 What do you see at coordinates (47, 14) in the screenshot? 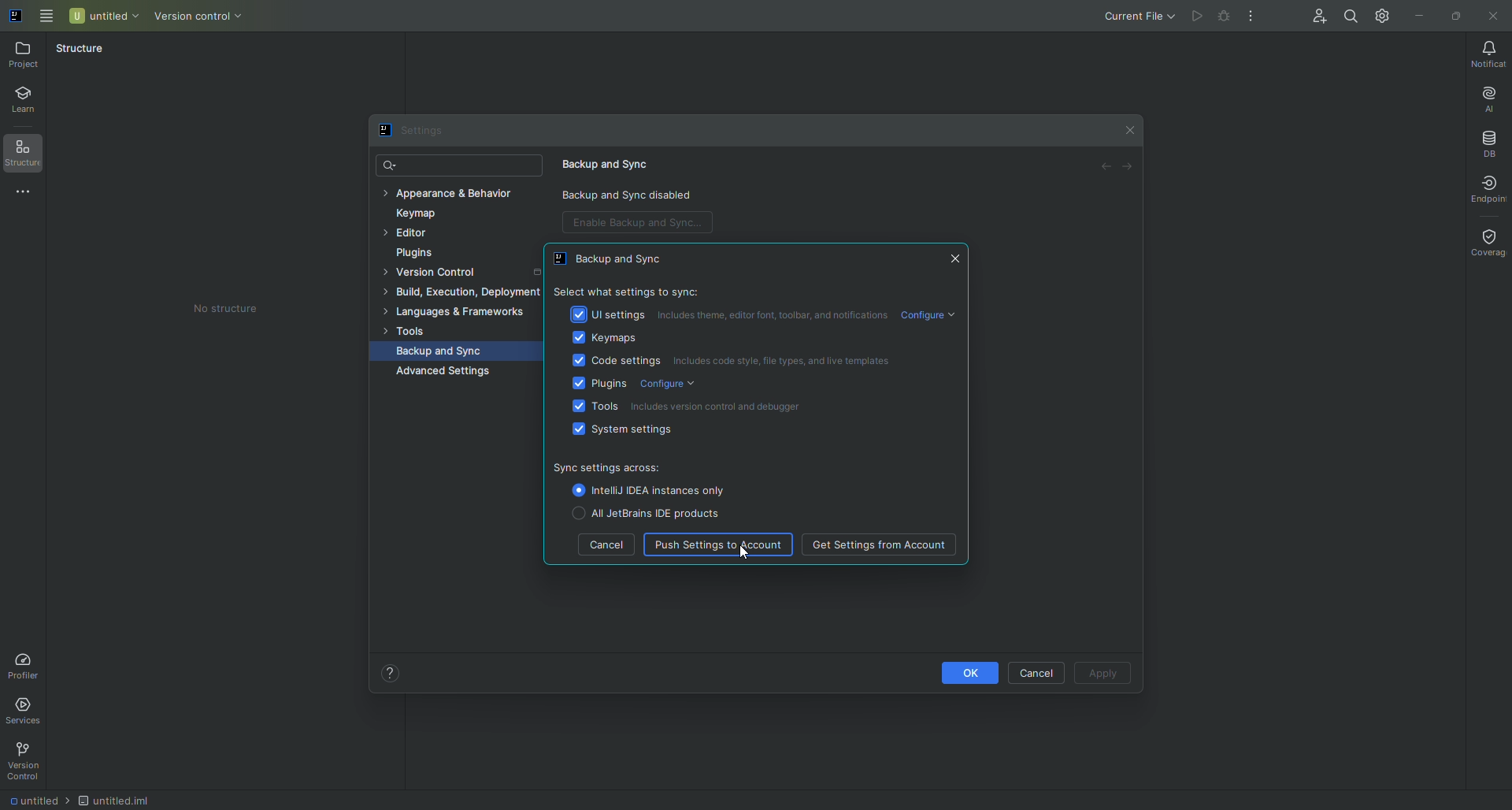
I see `Main Menu` at bounding box center [47, 14].